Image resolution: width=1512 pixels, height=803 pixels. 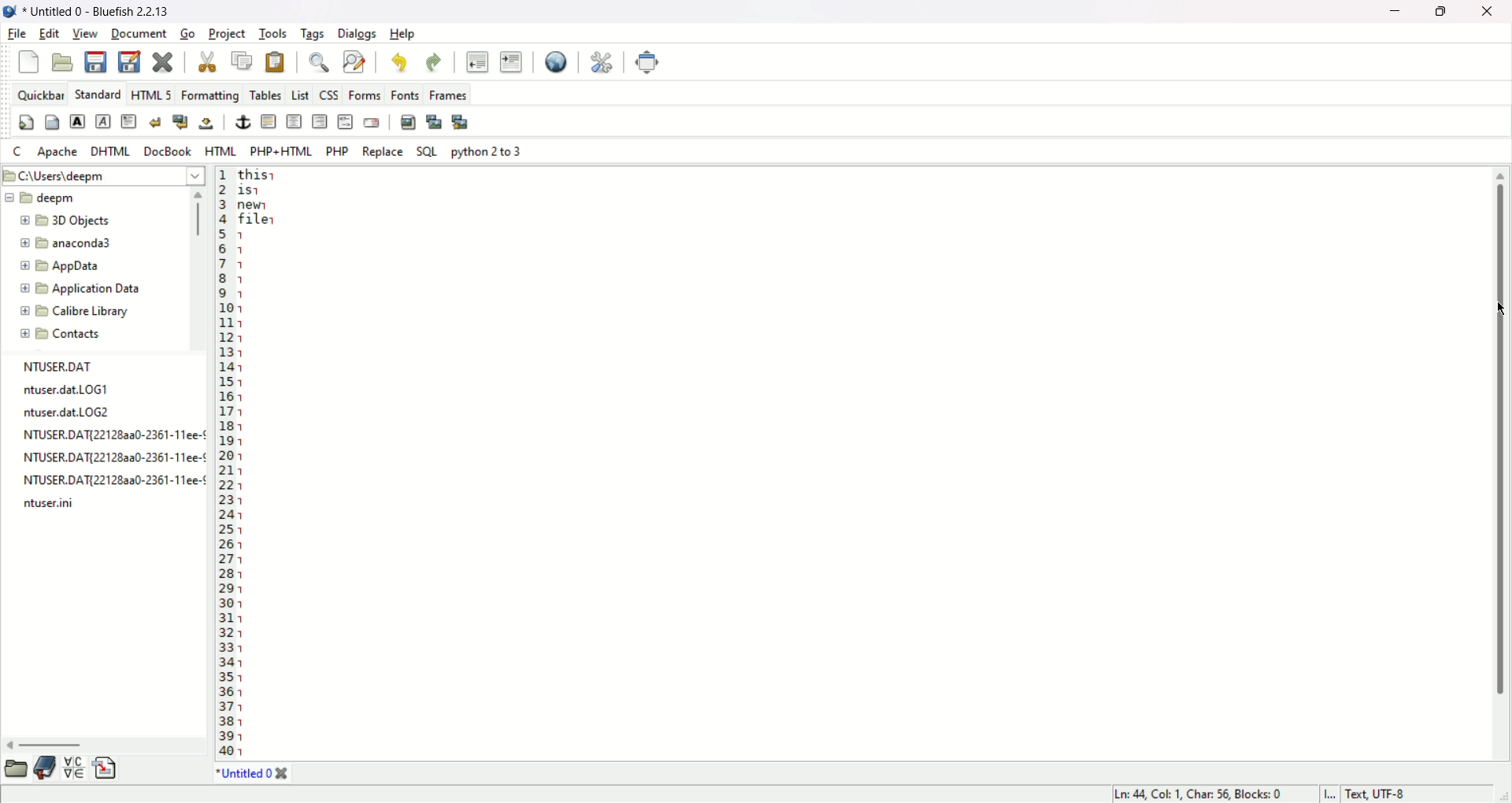 I want to click on fullscreen, so click(x=650, y=62).